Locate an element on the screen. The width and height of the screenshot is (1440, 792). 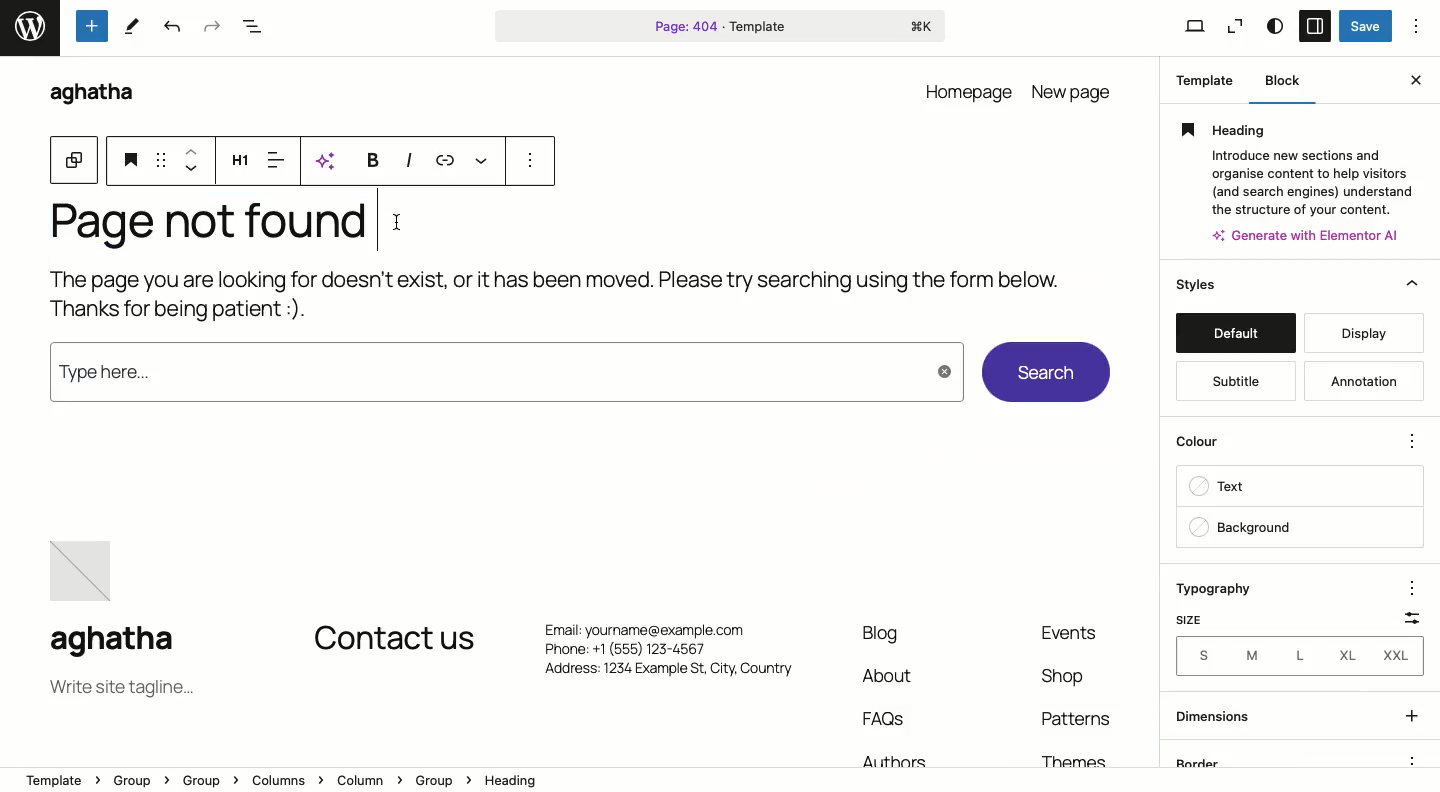
Page not found is located at coordinates (209, 223).